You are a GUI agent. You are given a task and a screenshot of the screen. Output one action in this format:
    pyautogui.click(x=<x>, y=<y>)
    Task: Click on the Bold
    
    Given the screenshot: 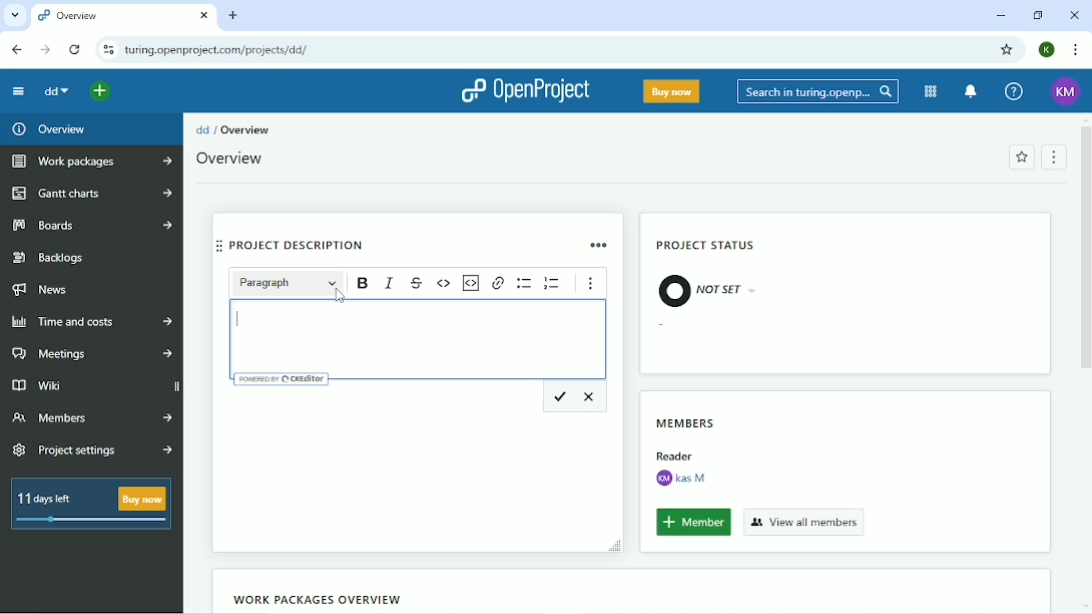 What is the action you would take?
    pyautogui.click(x=361, y=284)
    